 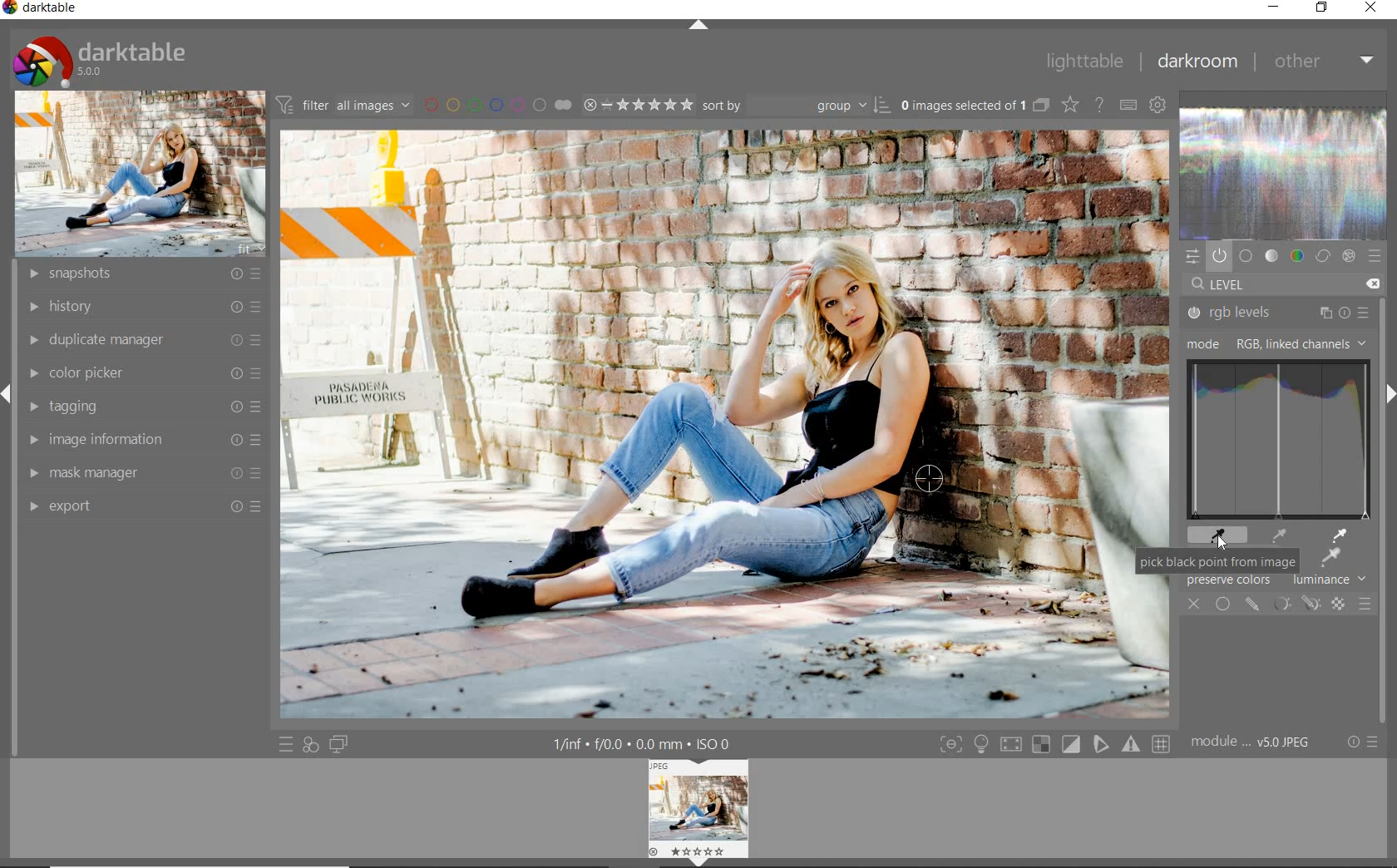 What do you see at coordinates (287, 745) in the screenshot?
I see `quick access to presets` at bounding box center [287, 745].